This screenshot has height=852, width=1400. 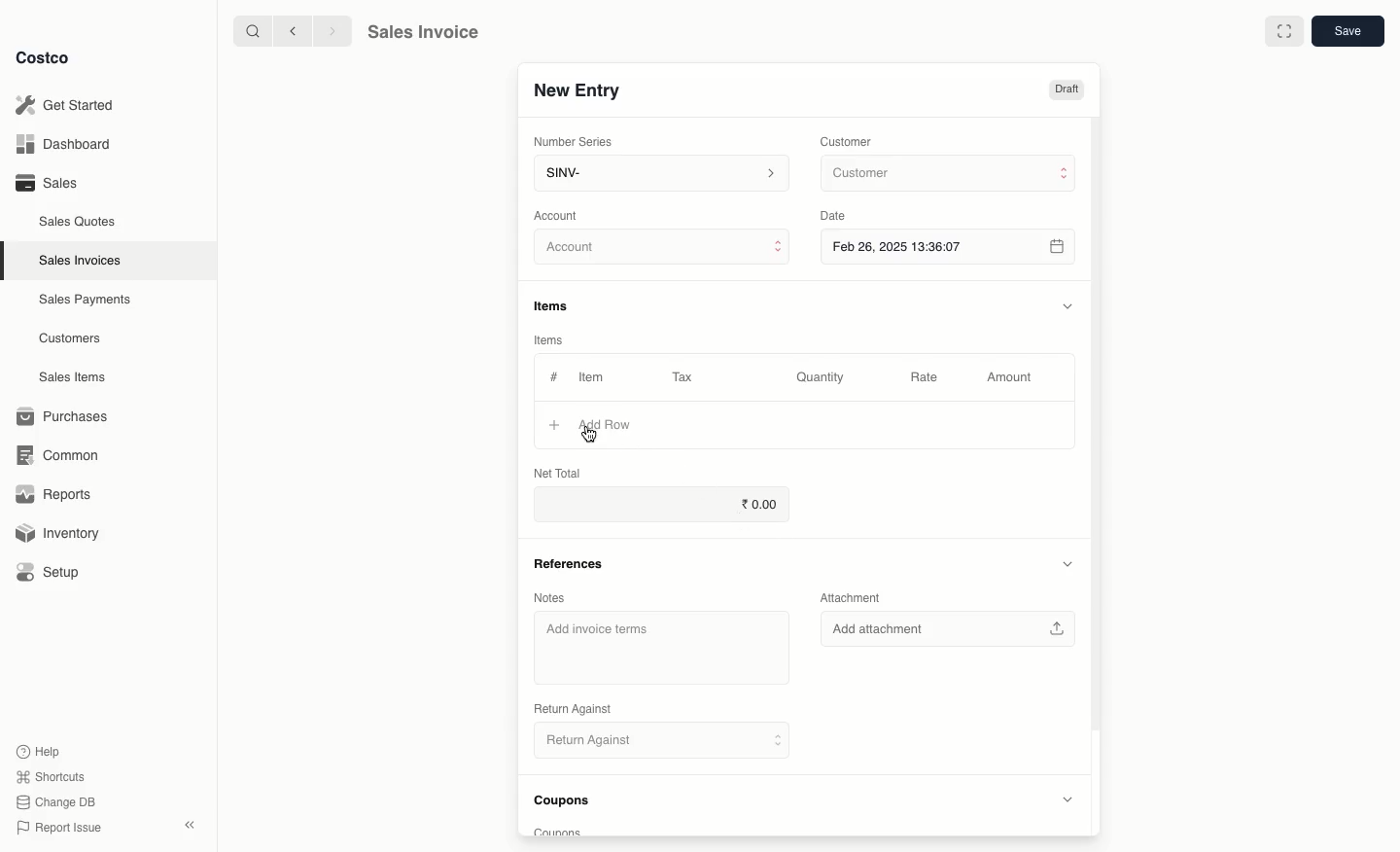 What do you see at coordinates (1067, 90) in the screenshot?
I see `Draft` at bounding box center [1067, 90].